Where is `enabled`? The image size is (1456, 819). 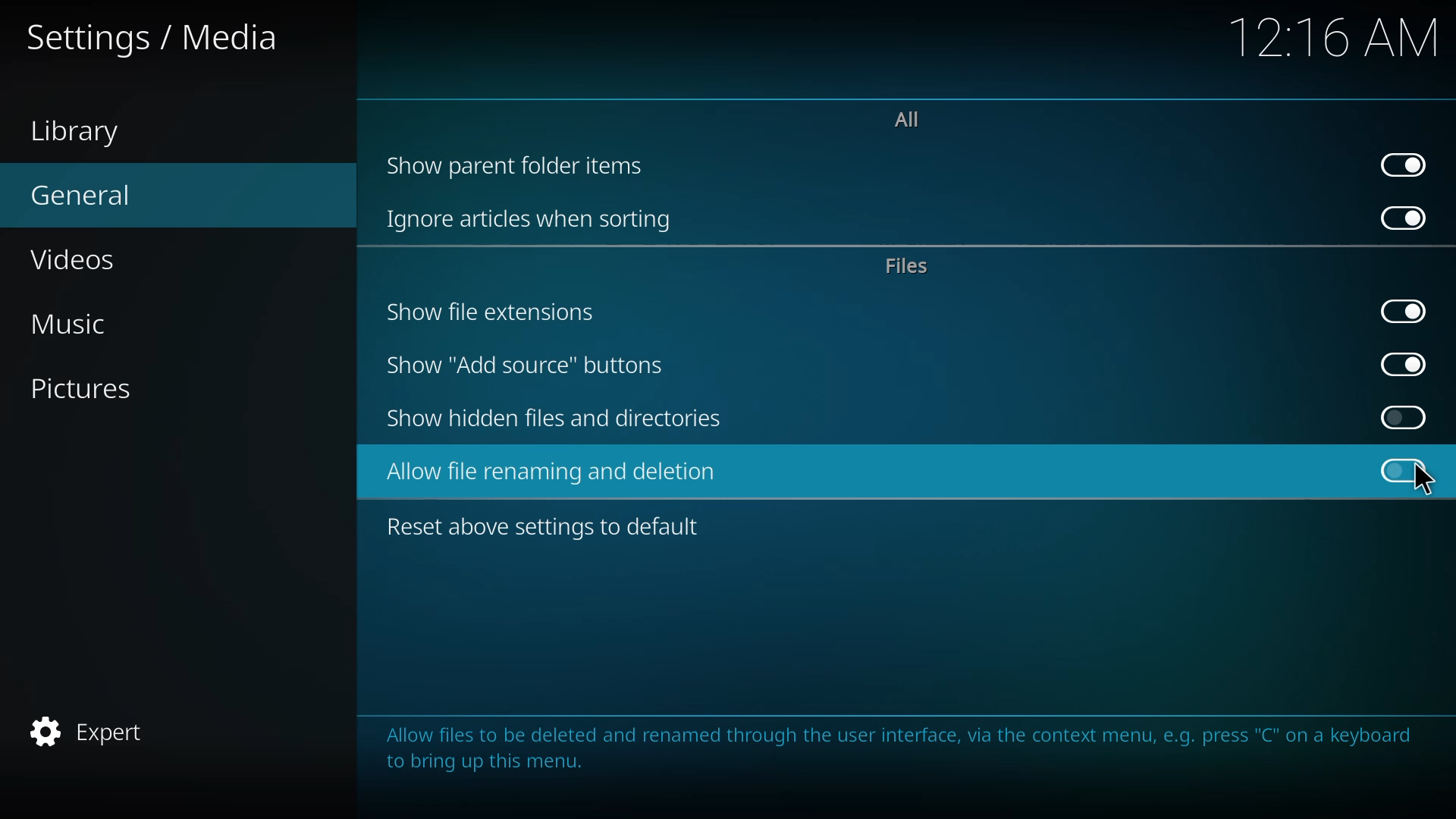
enabled is located at coordinates (1406, 362).